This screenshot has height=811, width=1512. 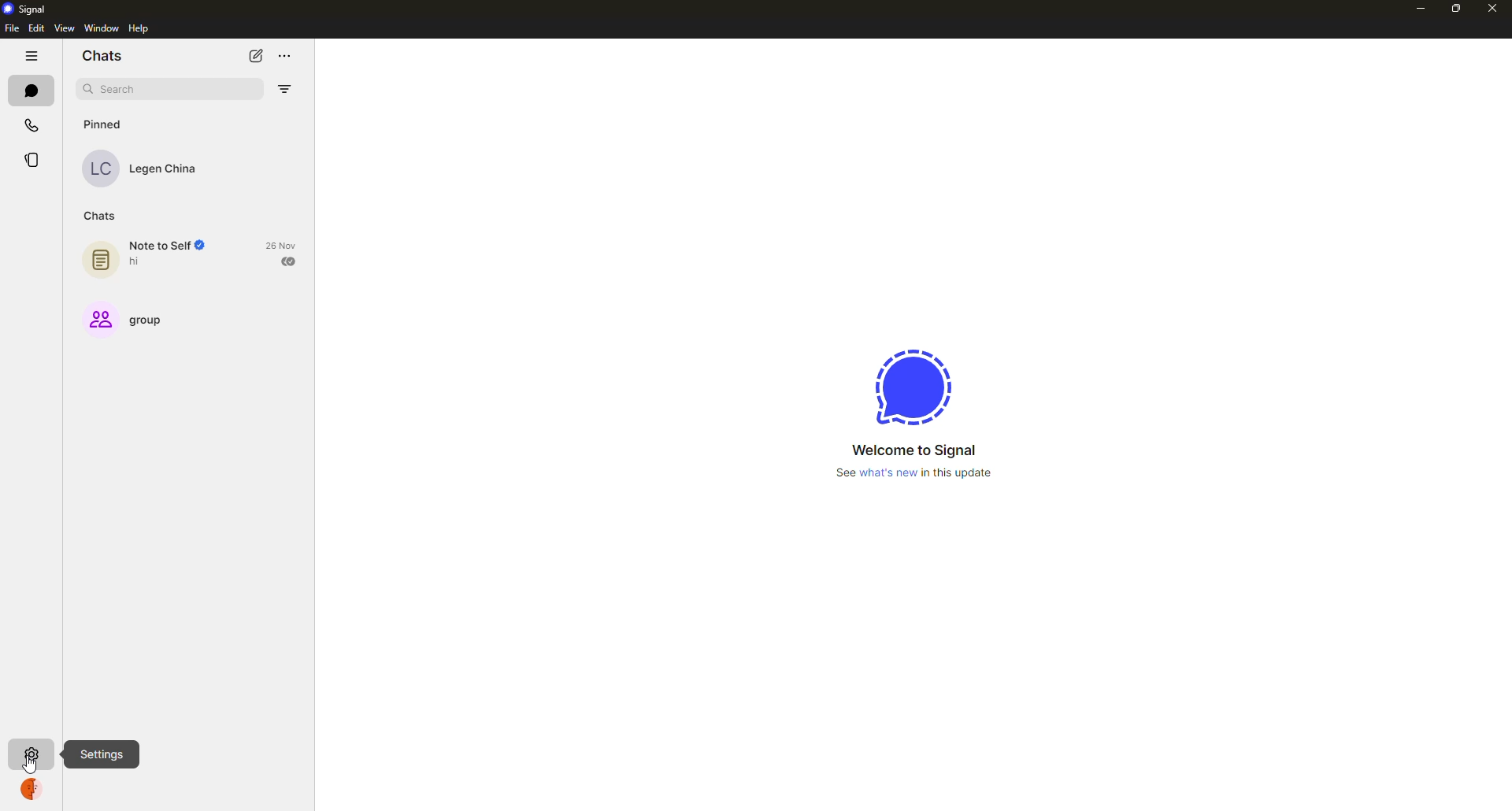 I want to click on view, so click(x=65, y=30).